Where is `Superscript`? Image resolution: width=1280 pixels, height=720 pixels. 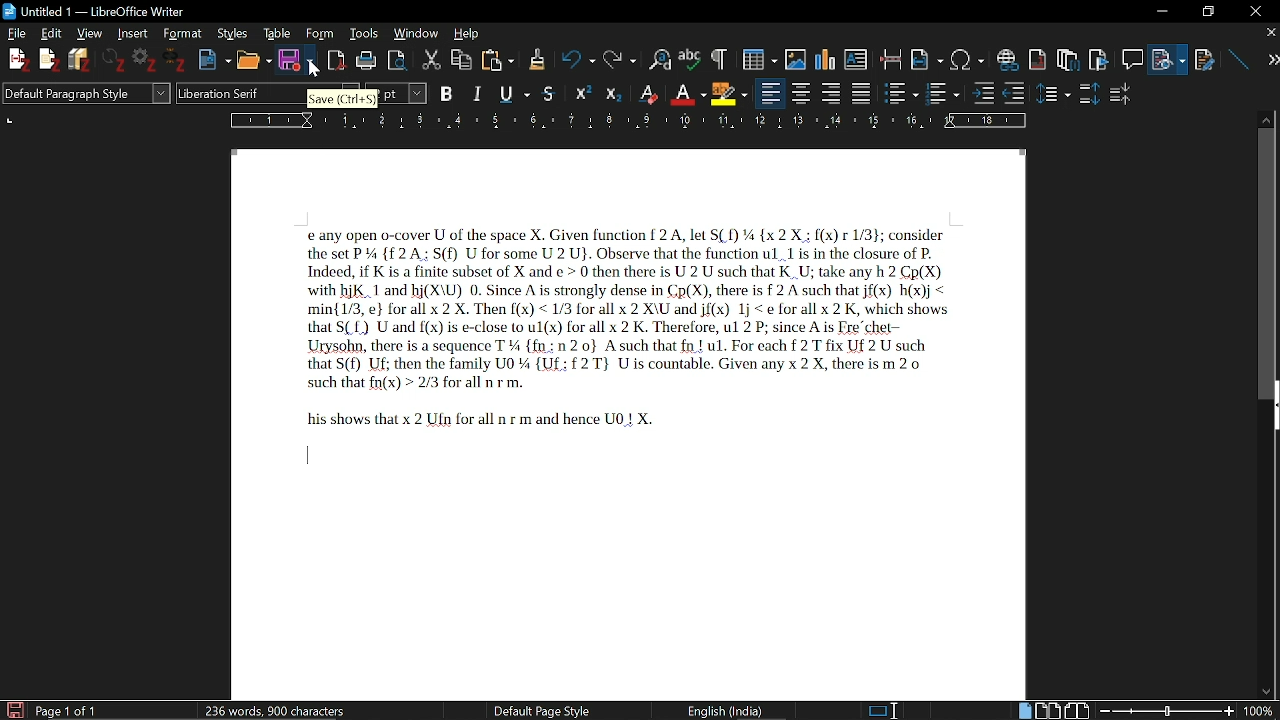
Superscript is located at coordinates (647, 93).